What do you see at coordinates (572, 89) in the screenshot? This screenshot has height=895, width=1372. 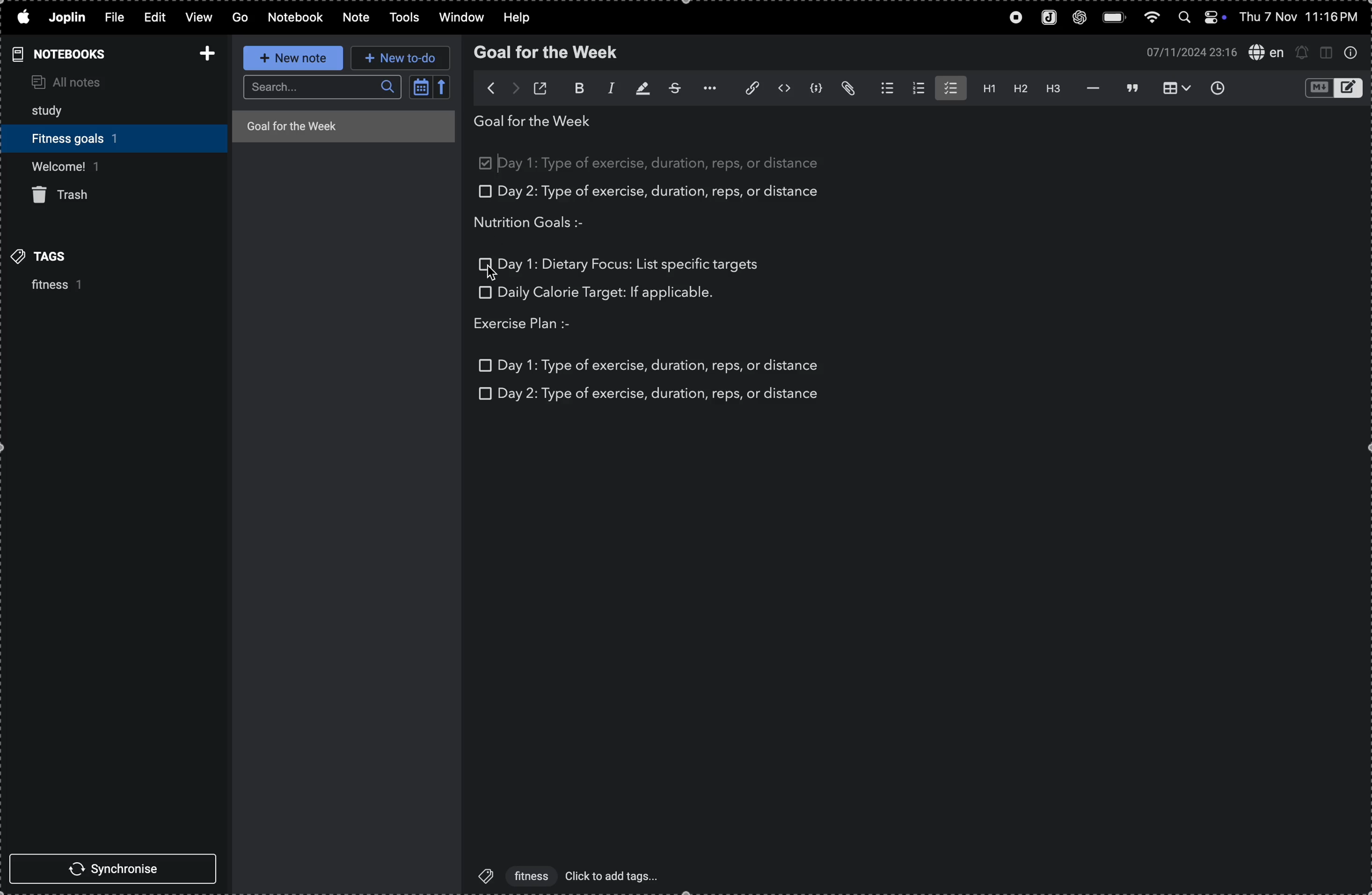 I see `bold` at bounding box center [572, 89].